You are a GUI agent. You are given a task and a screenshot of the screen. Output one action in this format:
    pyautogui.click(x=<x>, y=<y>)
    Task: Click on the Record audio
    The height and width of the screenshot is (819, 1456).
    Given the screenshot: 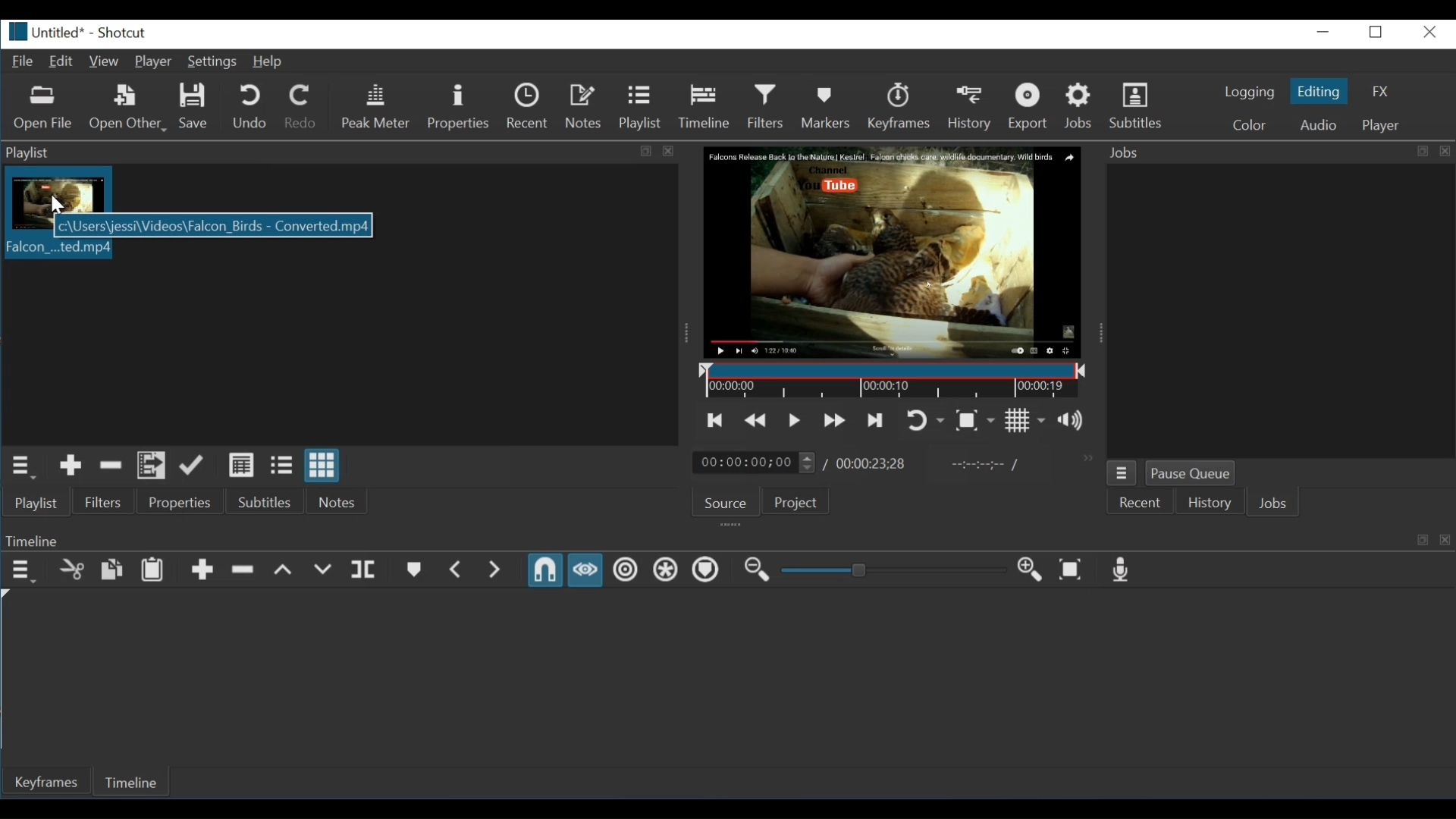 What is the action you would take?
    pyautogui.click(x=1118, y=570)
    